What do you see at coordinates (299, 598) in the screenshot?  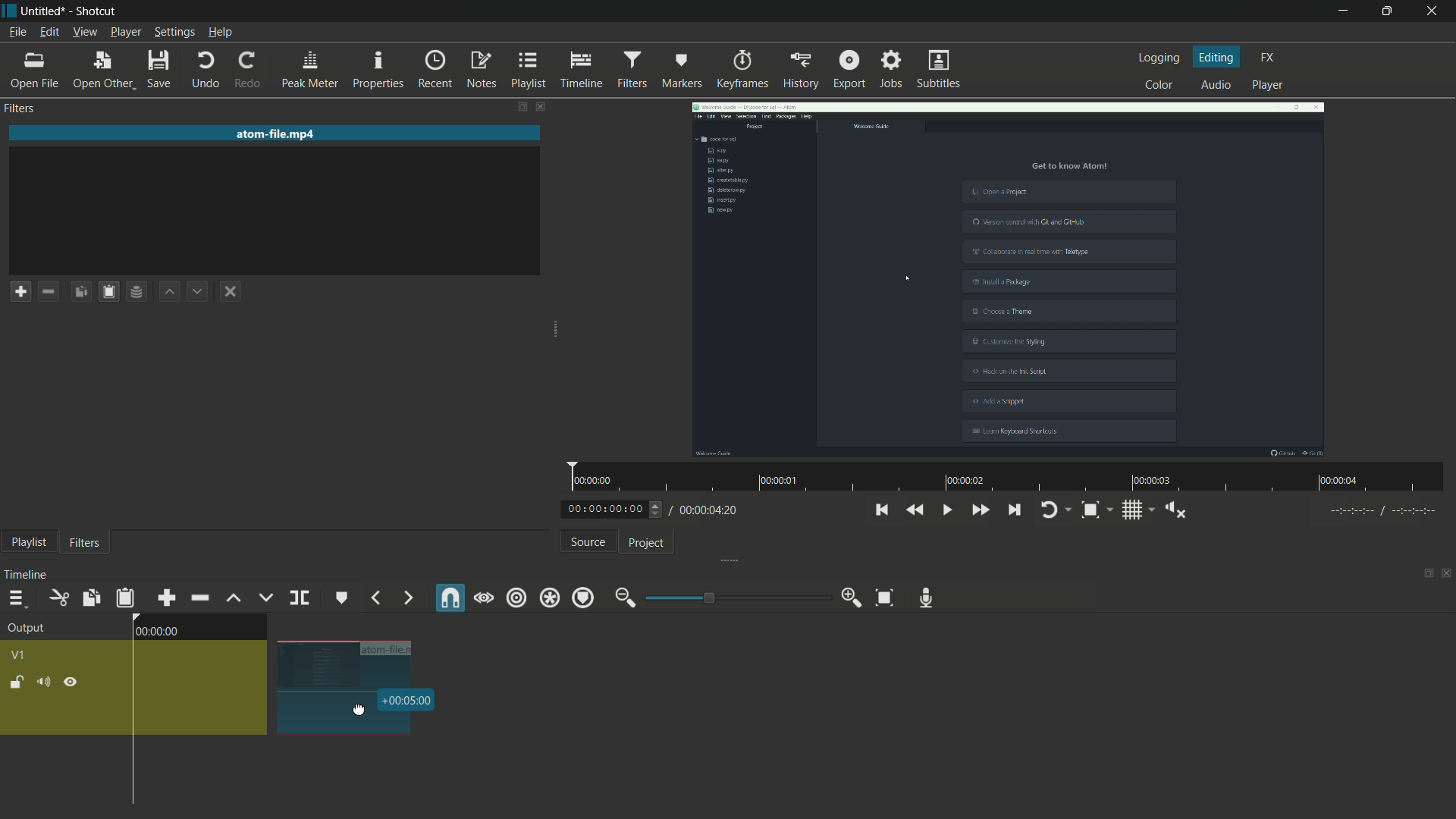 I see `split at playhead` at bounding box center [299, 598].